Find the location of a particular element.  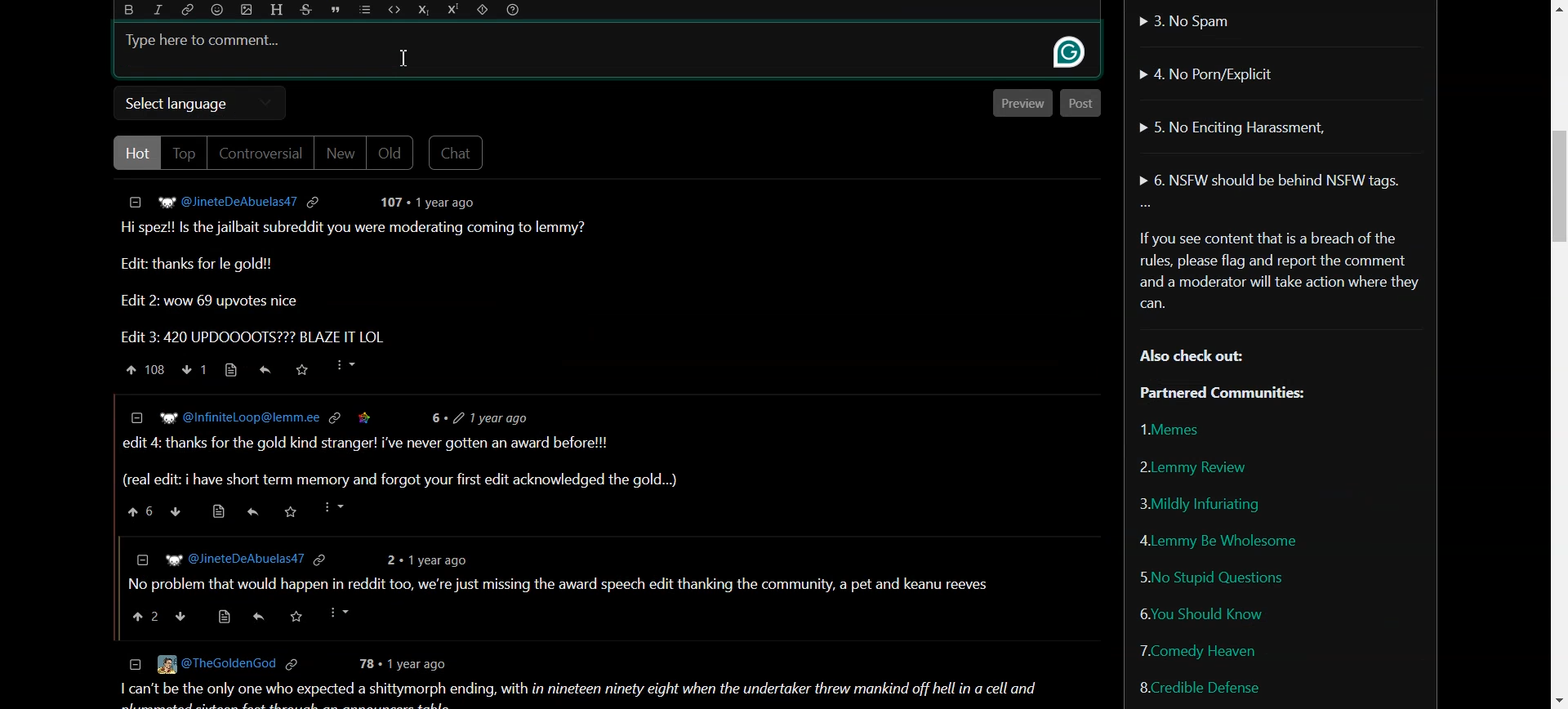

No Stupid Questions is located at coordinates (1209, 578).